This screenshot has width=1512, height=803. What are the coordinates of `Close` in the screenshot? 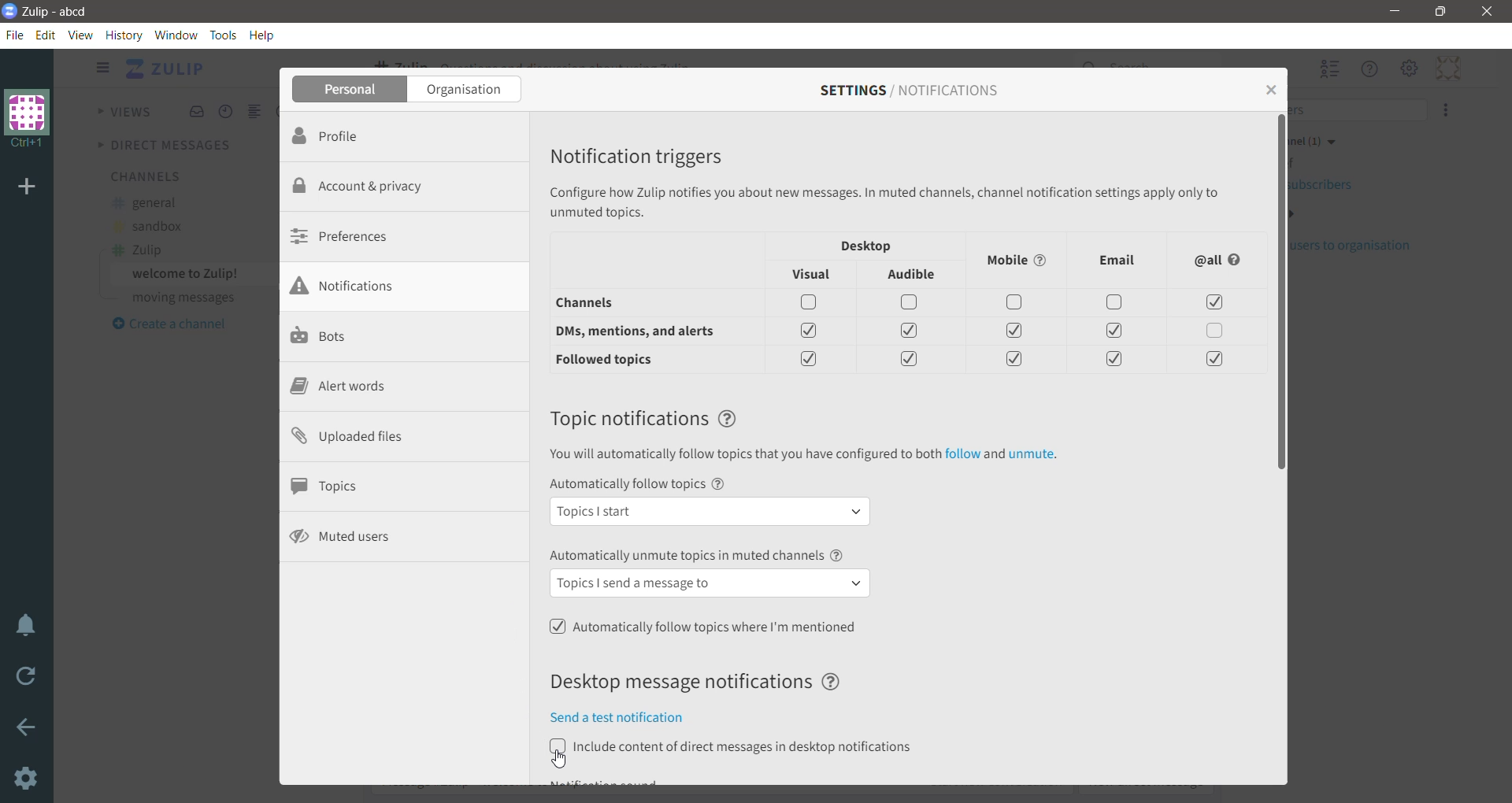 It's located at (1269, 88).